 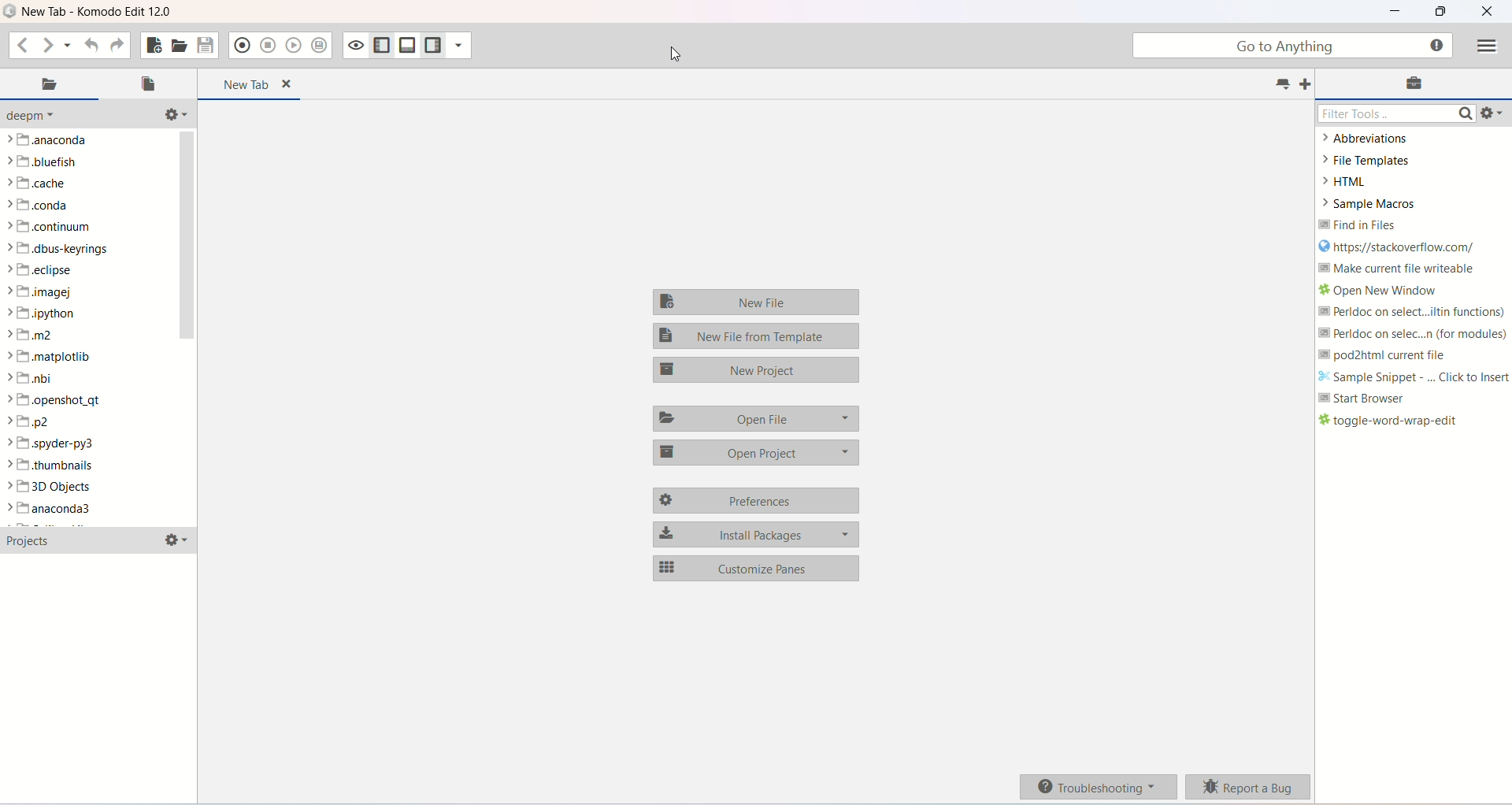 I want to click on open file, so click(x=755, y=418).